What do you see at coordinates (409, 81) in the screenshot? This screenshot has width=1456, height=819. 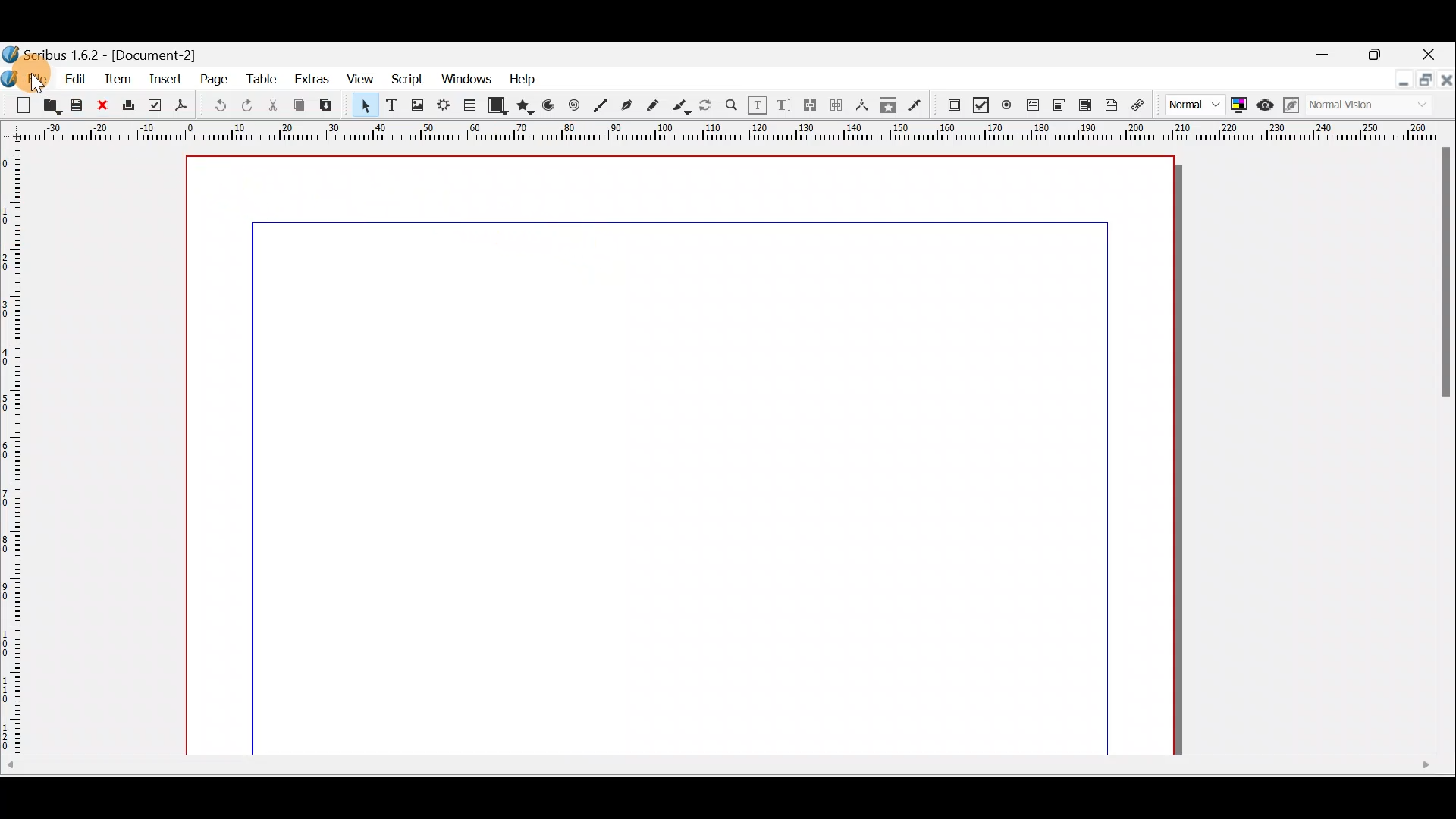 I see `Script` at bounding box center [409, 81].